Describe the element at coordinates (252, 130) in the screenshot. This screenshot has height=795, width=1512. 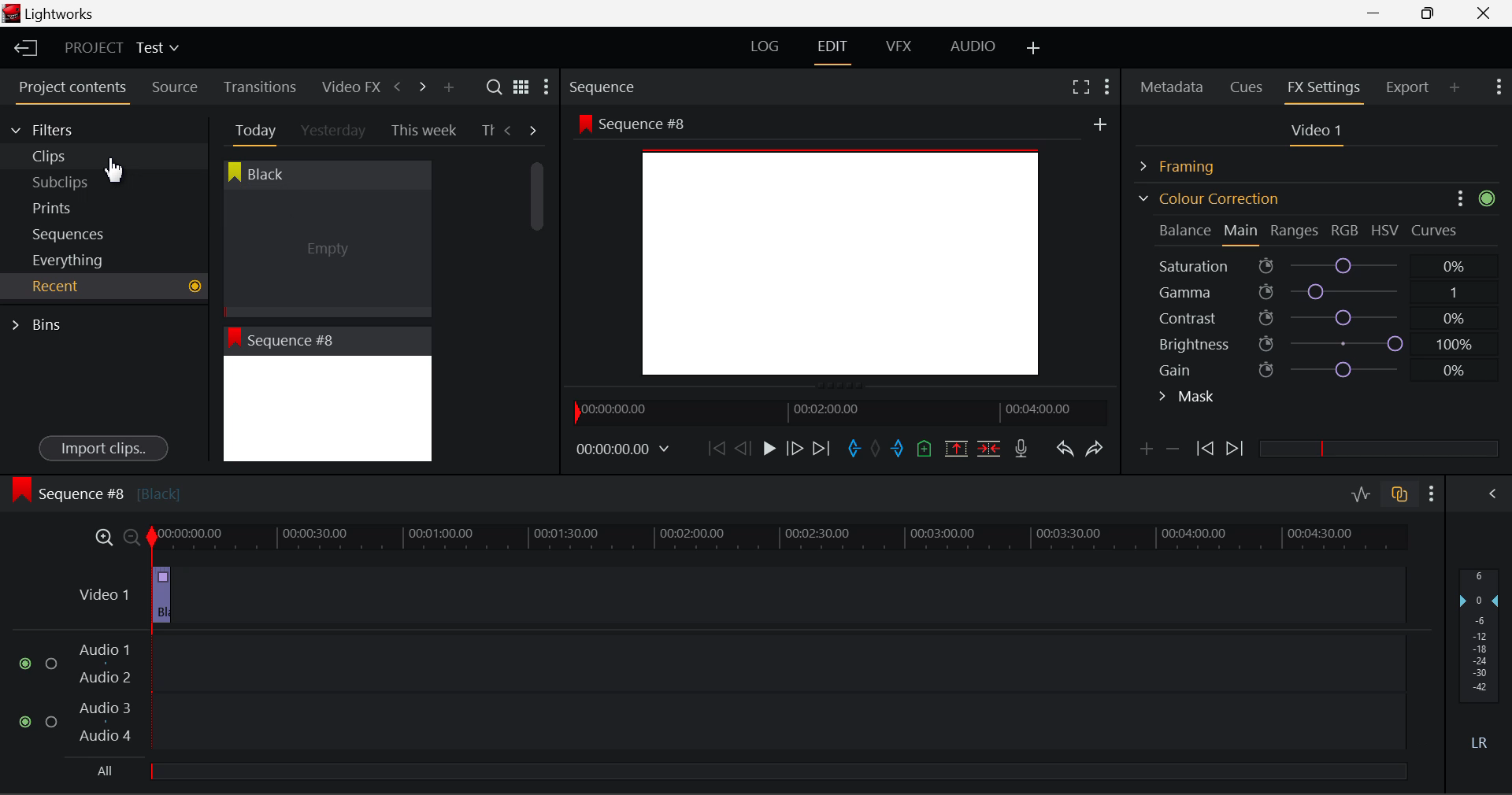
I see `Today Tab Open` at that location.